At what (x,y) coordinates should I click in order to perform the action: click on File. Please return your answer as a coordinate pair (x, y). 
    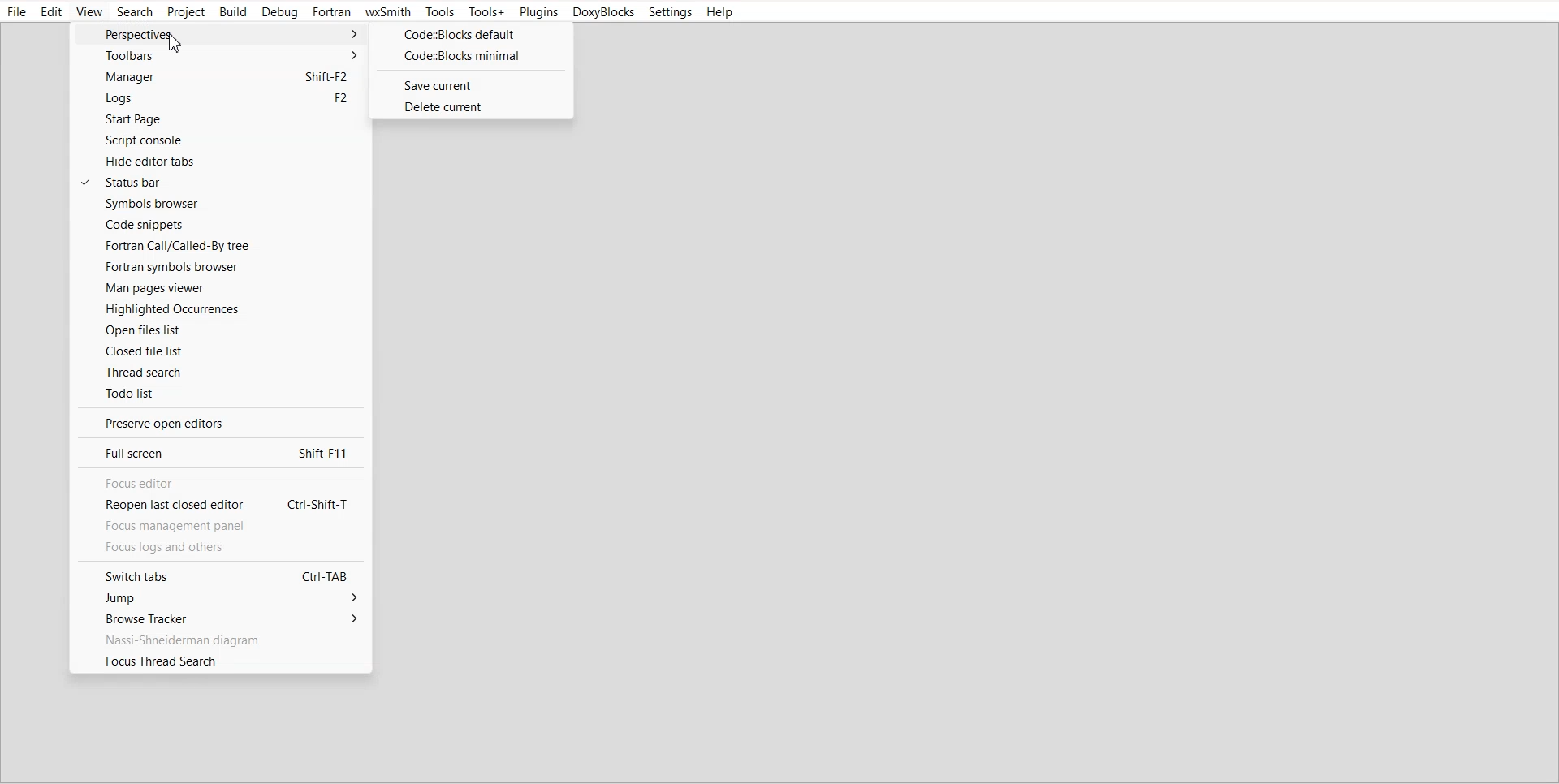
    Looking at the image, I should click on (18, 12).